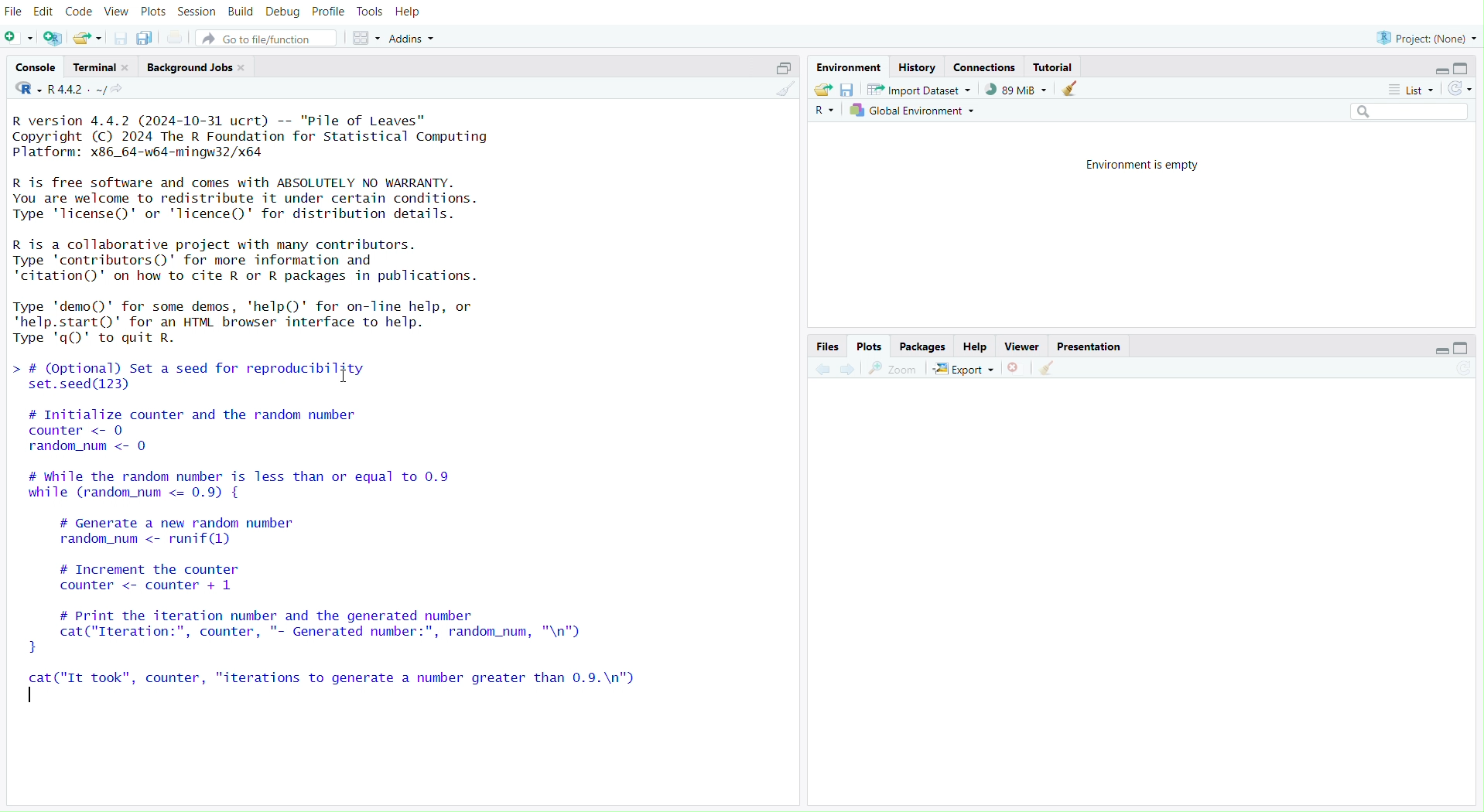  What do you see at coordinates (784, 94) in the screenshot?
I see `Clear Console (Ctrl + L)` at bounding box center [784, 94].